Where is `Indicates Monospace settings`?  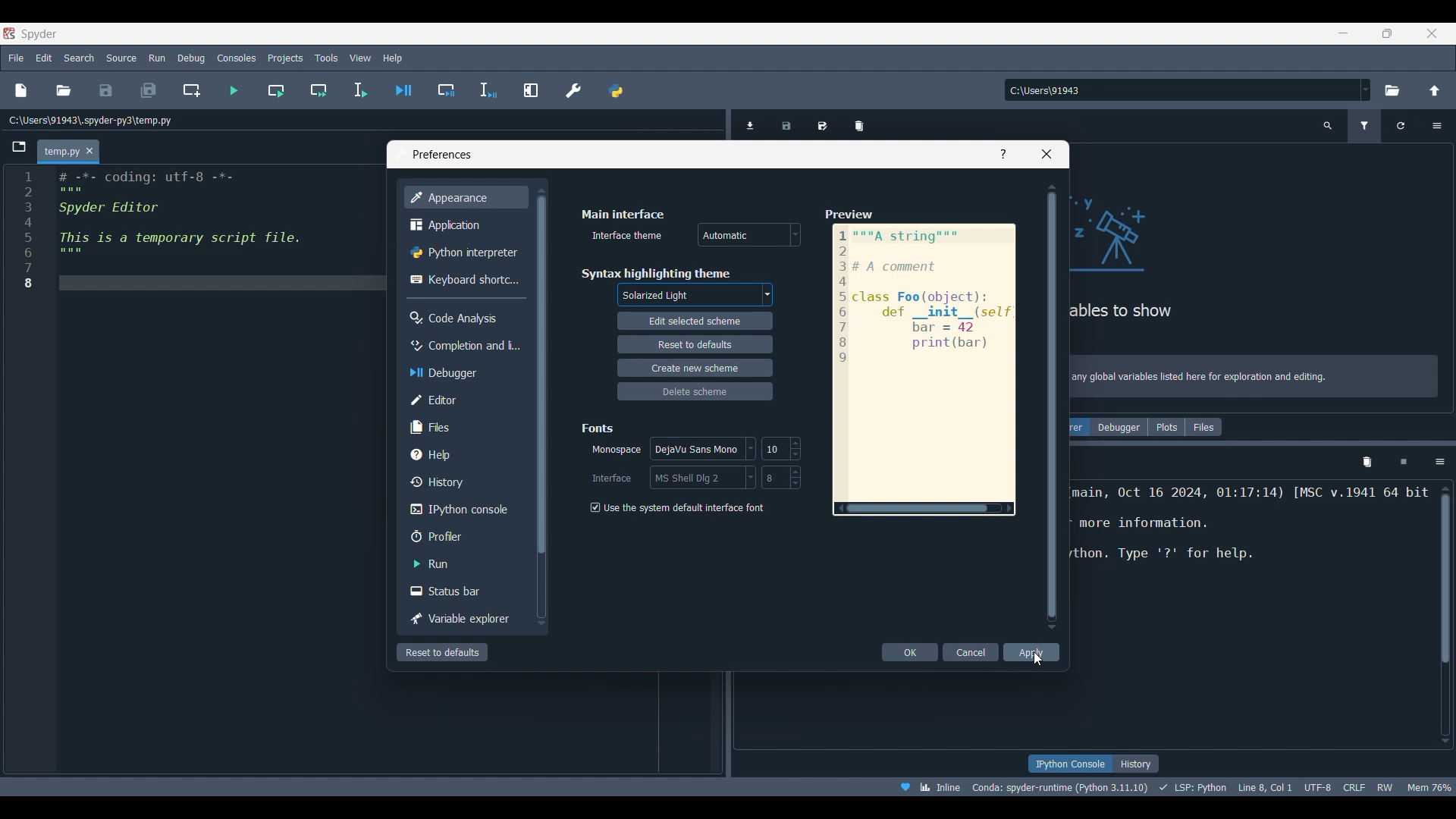
Indicates Monospace settings is located at coordinates (617, 450).